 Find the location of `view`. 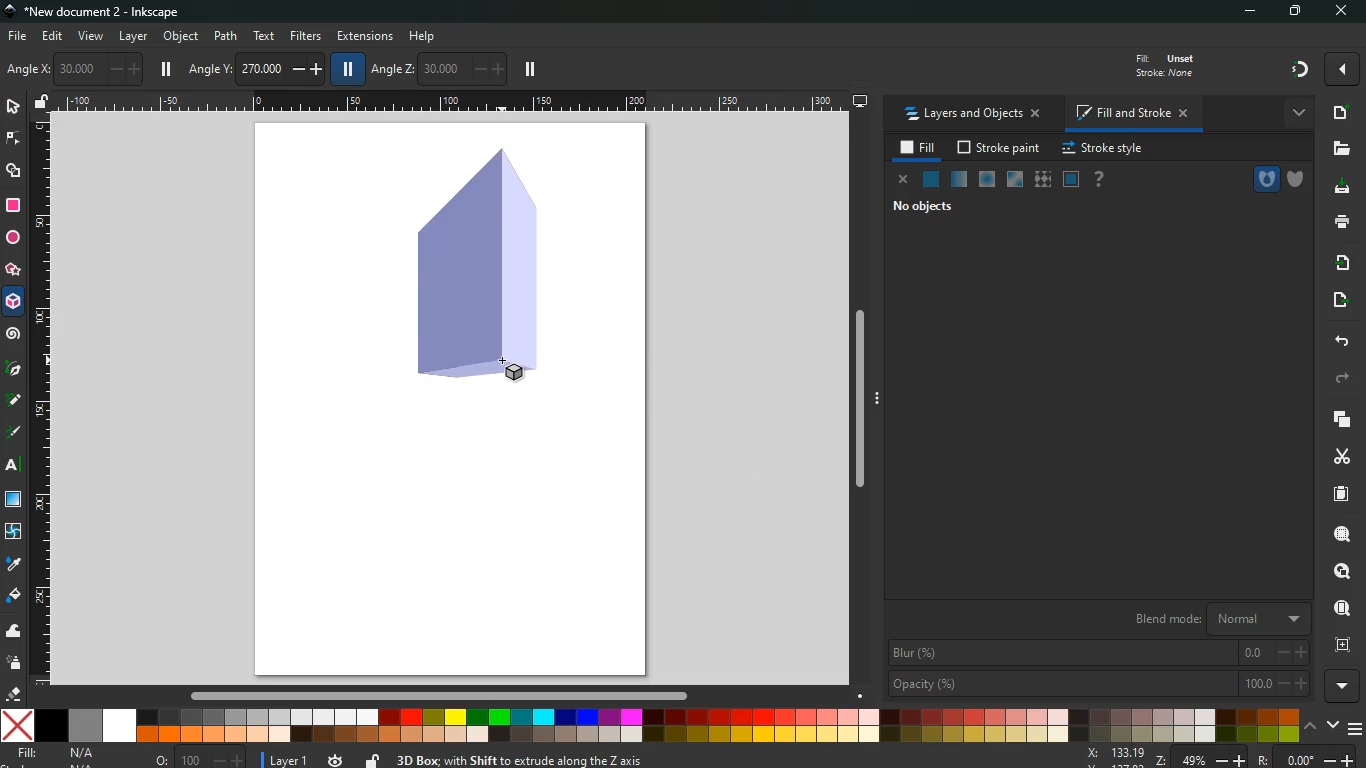

view is located at coordinates (92, 37).